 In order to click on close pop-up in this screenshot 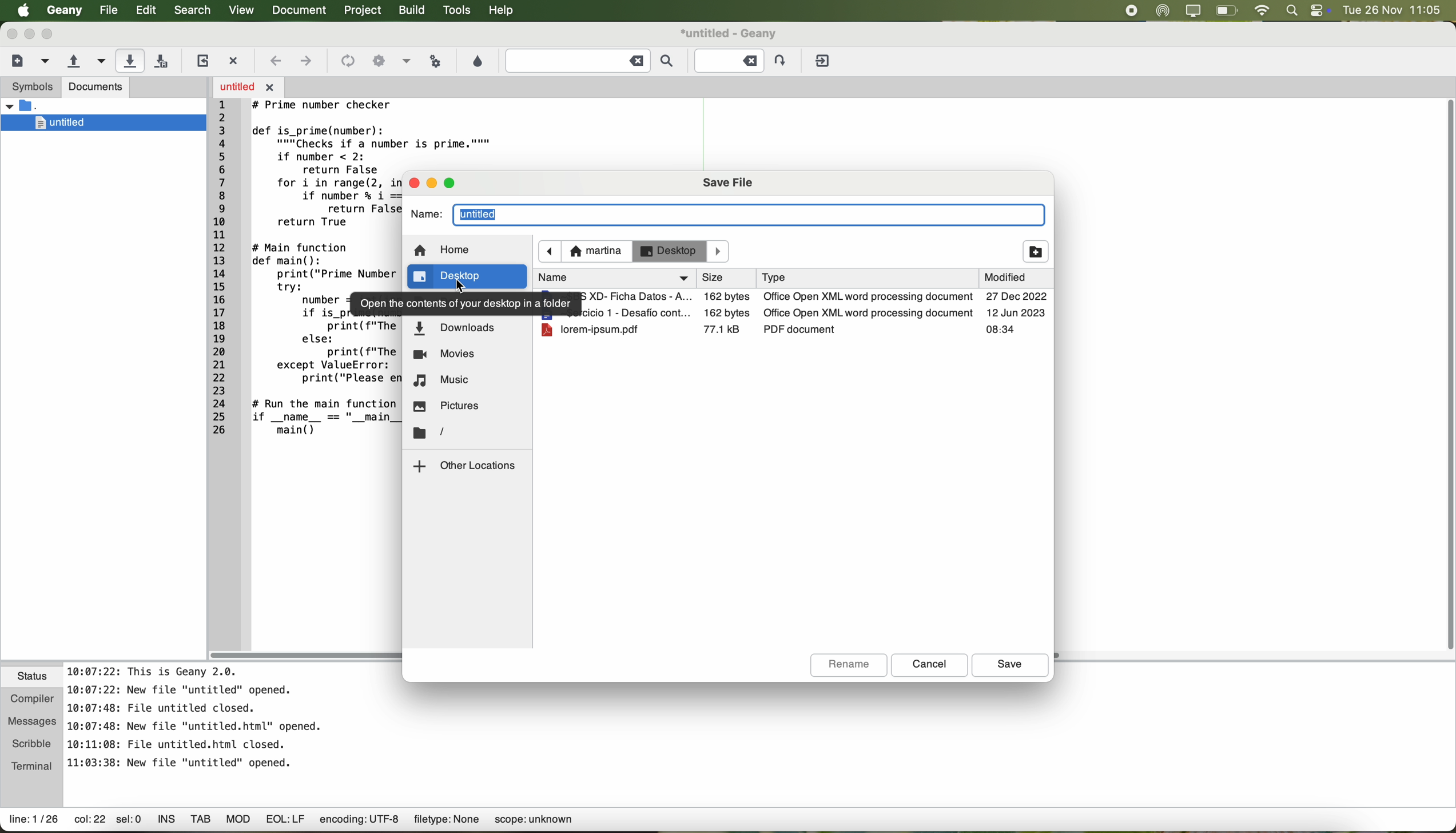, I will do `click(413, 183)`.